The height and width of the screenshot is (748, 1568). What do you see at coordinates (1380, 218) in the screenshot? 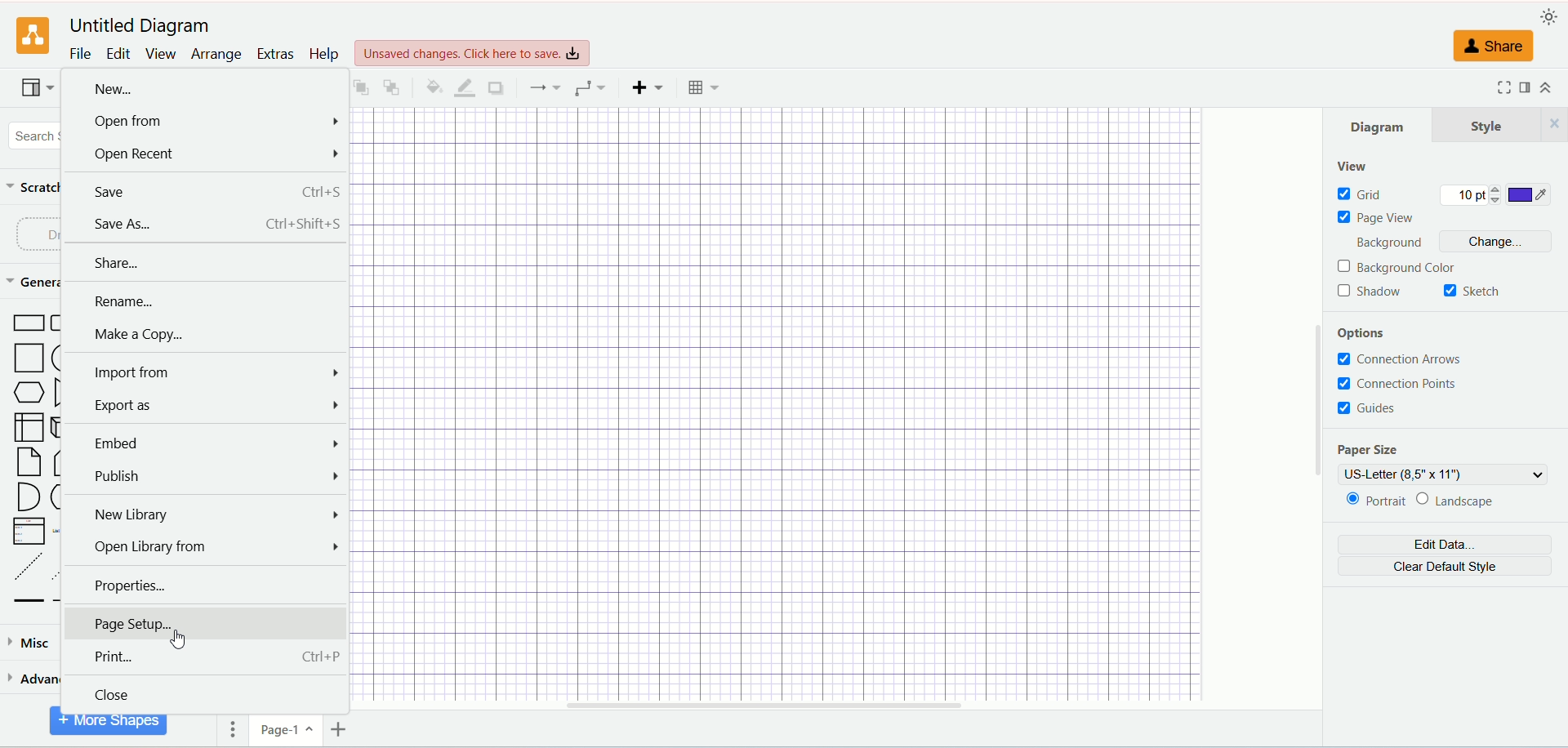
I see `page view` at bounding box center [1380, 218].